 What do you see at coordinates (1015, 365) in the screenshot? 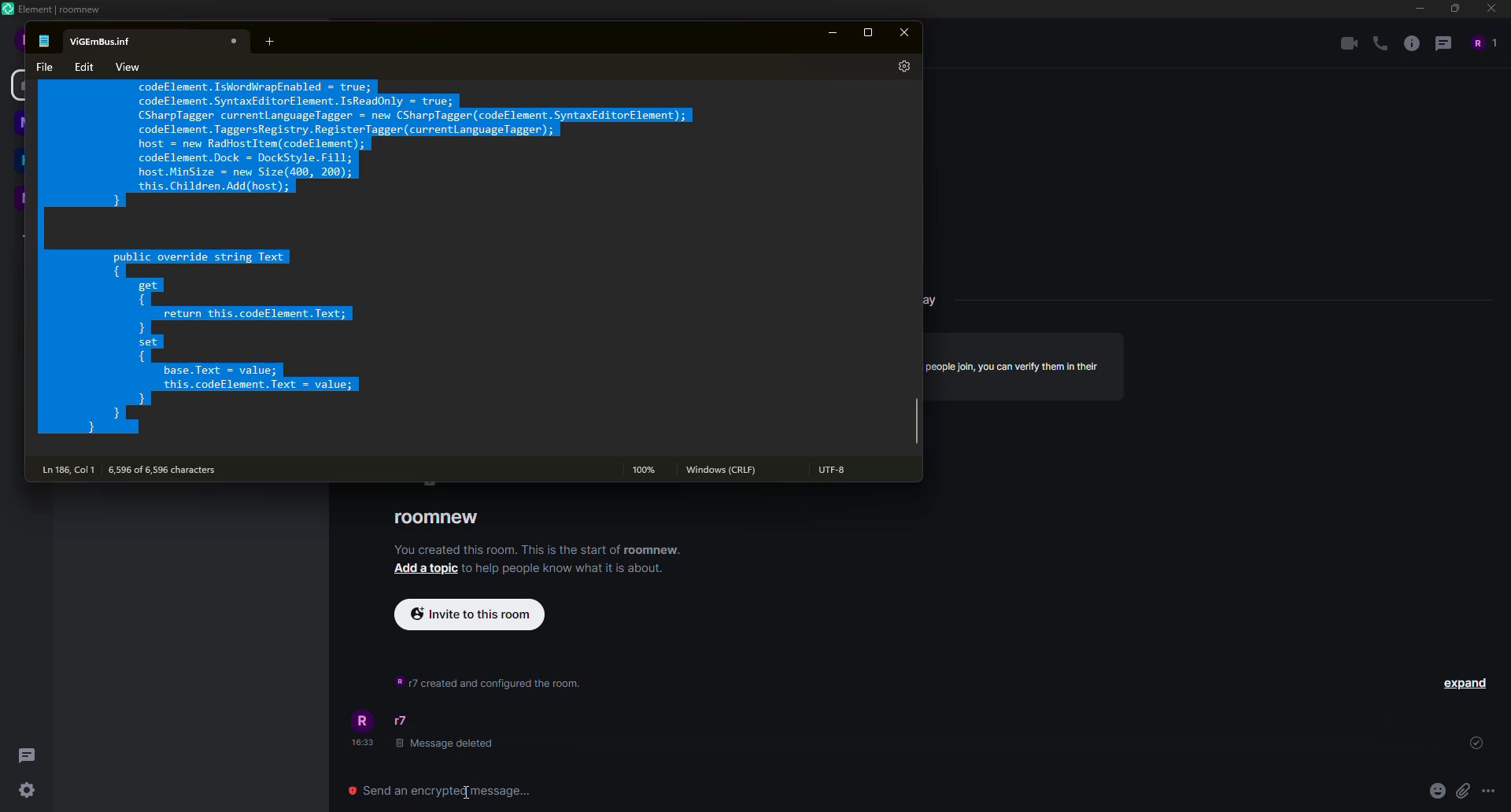
I see `info` at bounding box center [1015, 365].